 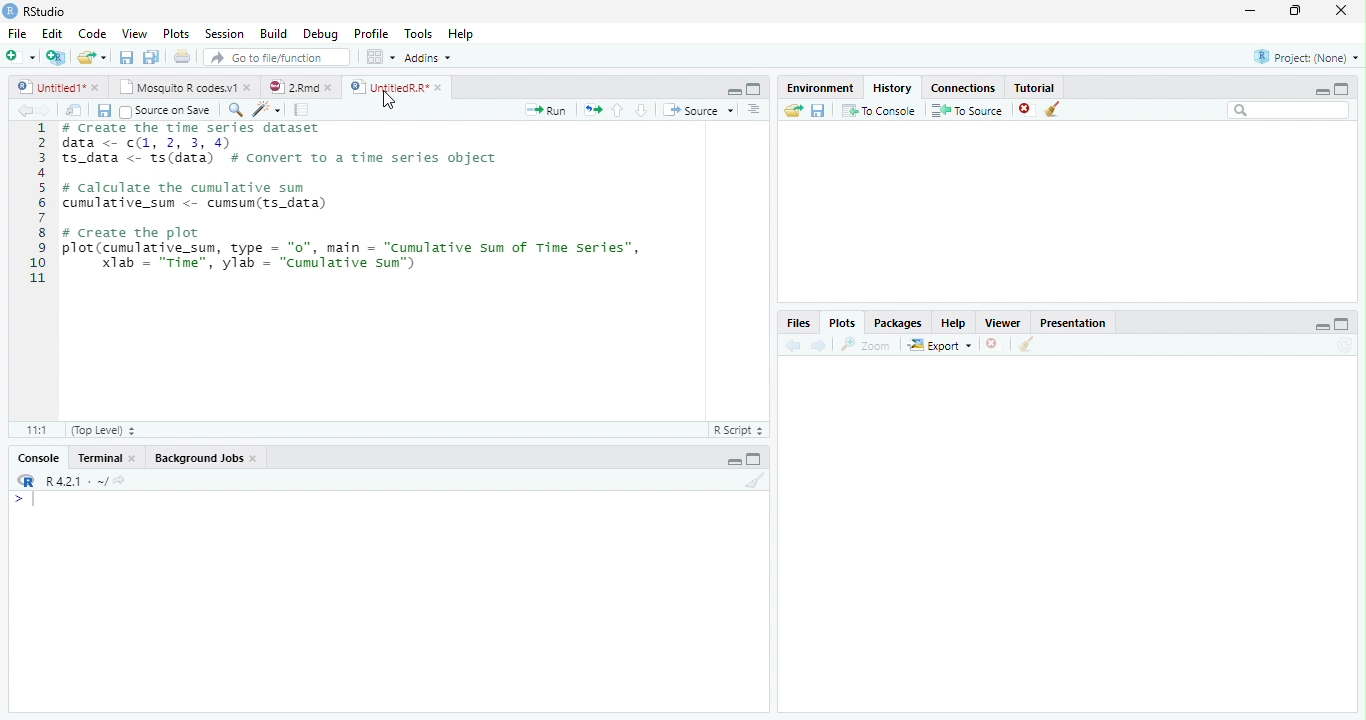 I want to click on History, so click(x=890, y=88).